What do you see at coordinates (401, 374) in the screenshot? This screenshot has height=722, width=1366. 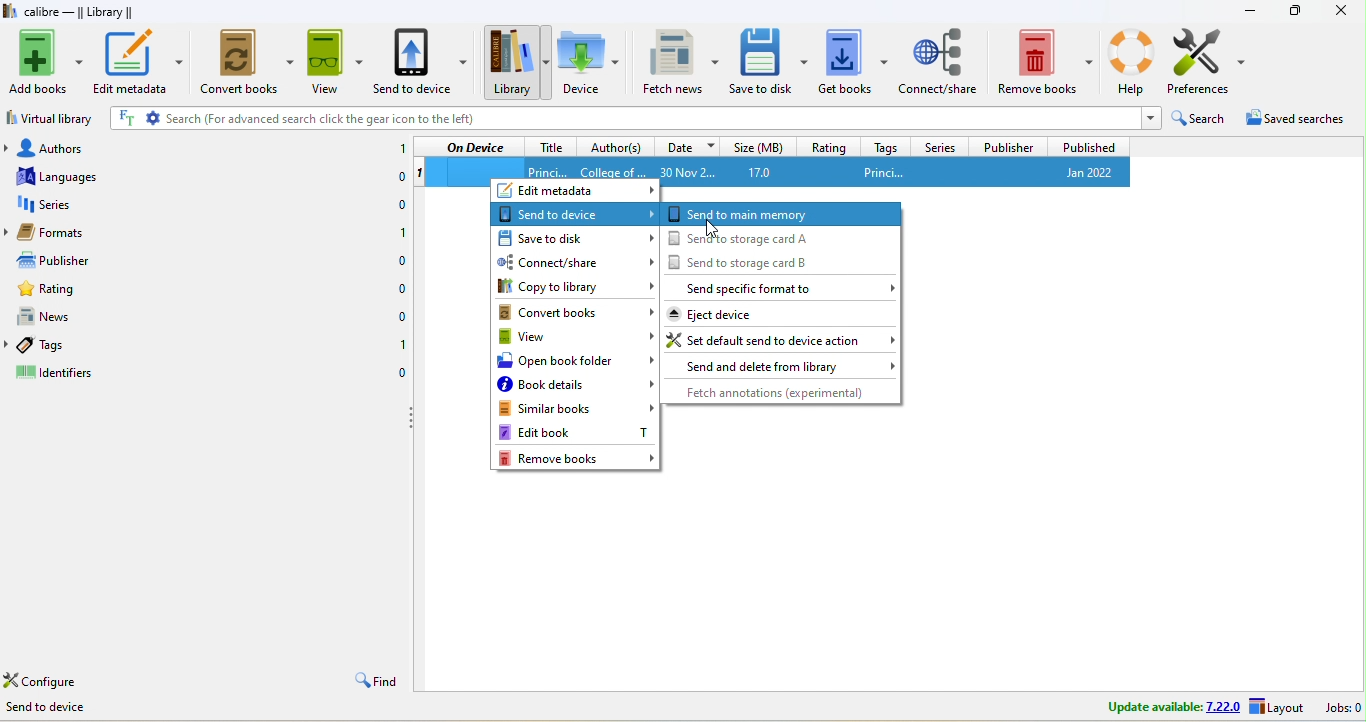 I see `0` at bounding box center [401, 374].